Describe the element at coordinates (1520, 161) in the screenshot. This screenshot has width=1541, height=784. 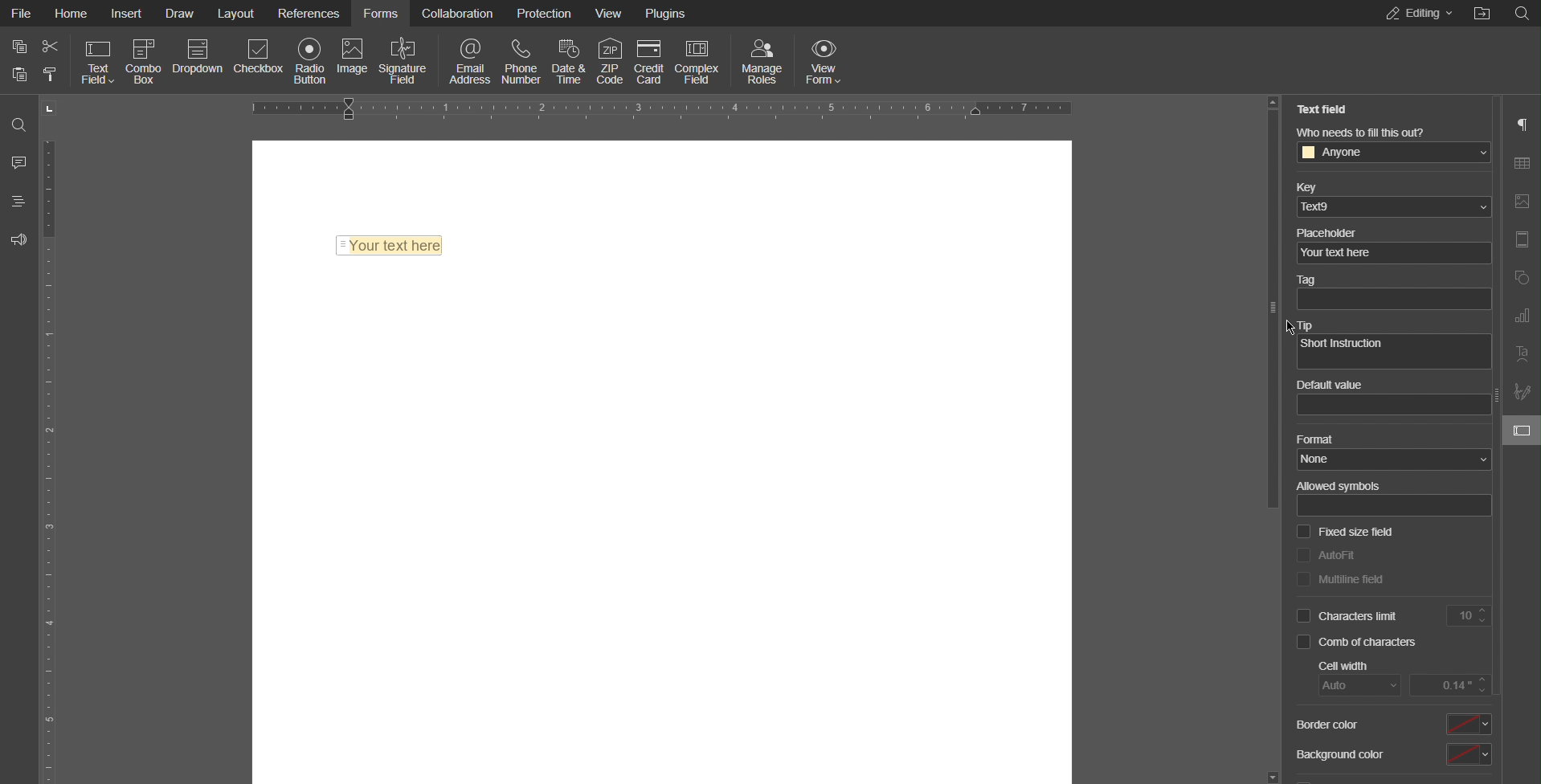
I see `Table Settings` at that location.